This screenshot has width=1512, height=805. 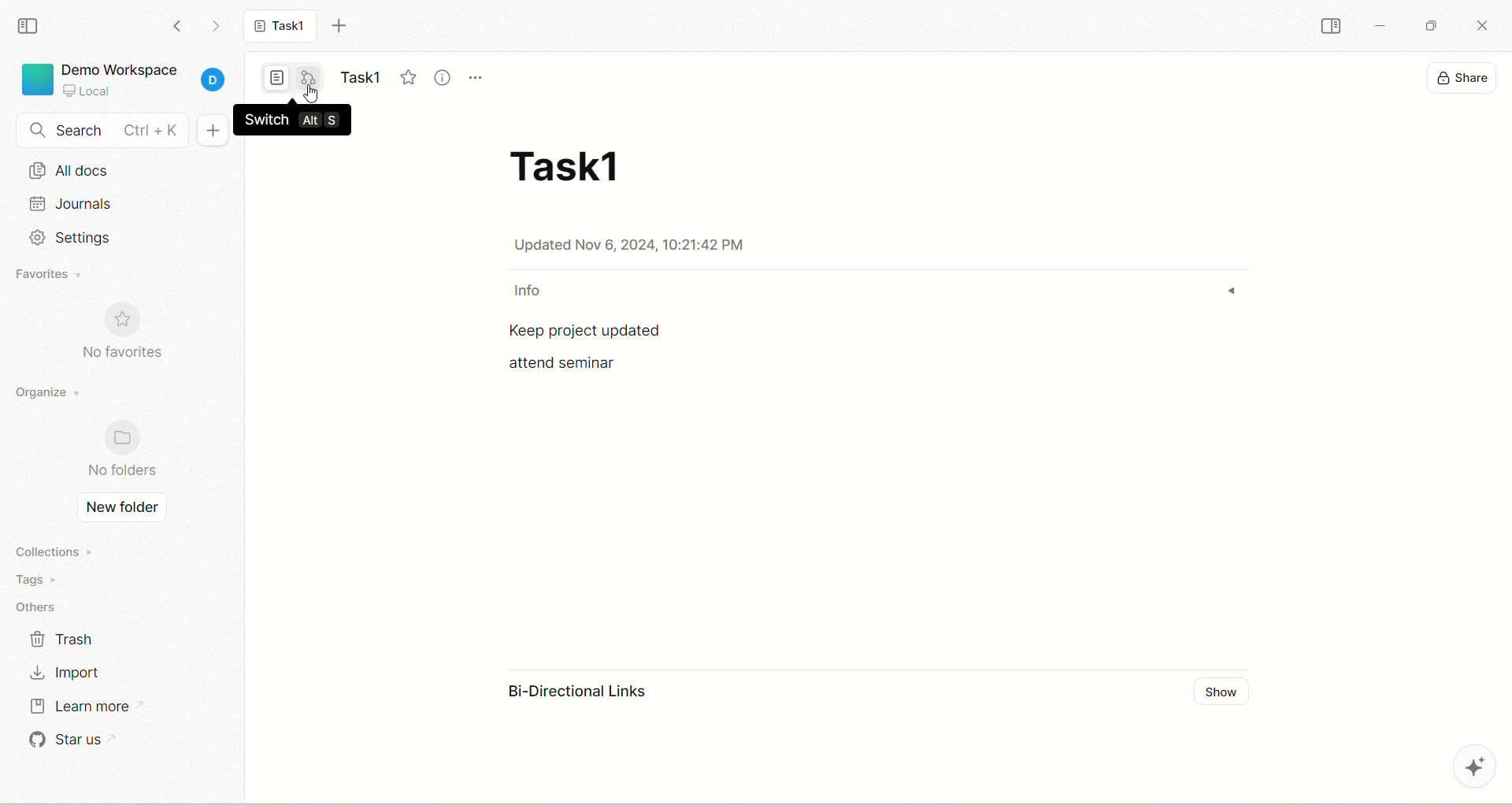 I want to click on no folders, so click(x=126, y=448).